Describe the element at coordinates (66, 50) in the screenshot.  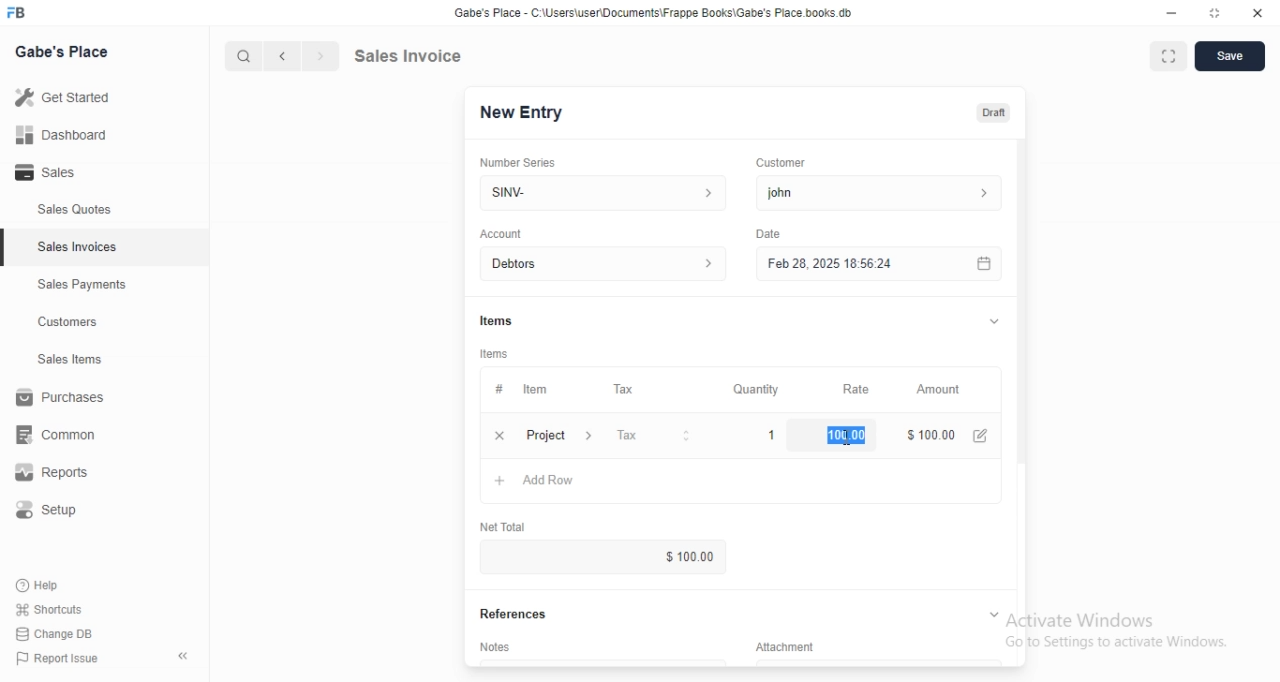
I see `Gabe's Place` at that location.